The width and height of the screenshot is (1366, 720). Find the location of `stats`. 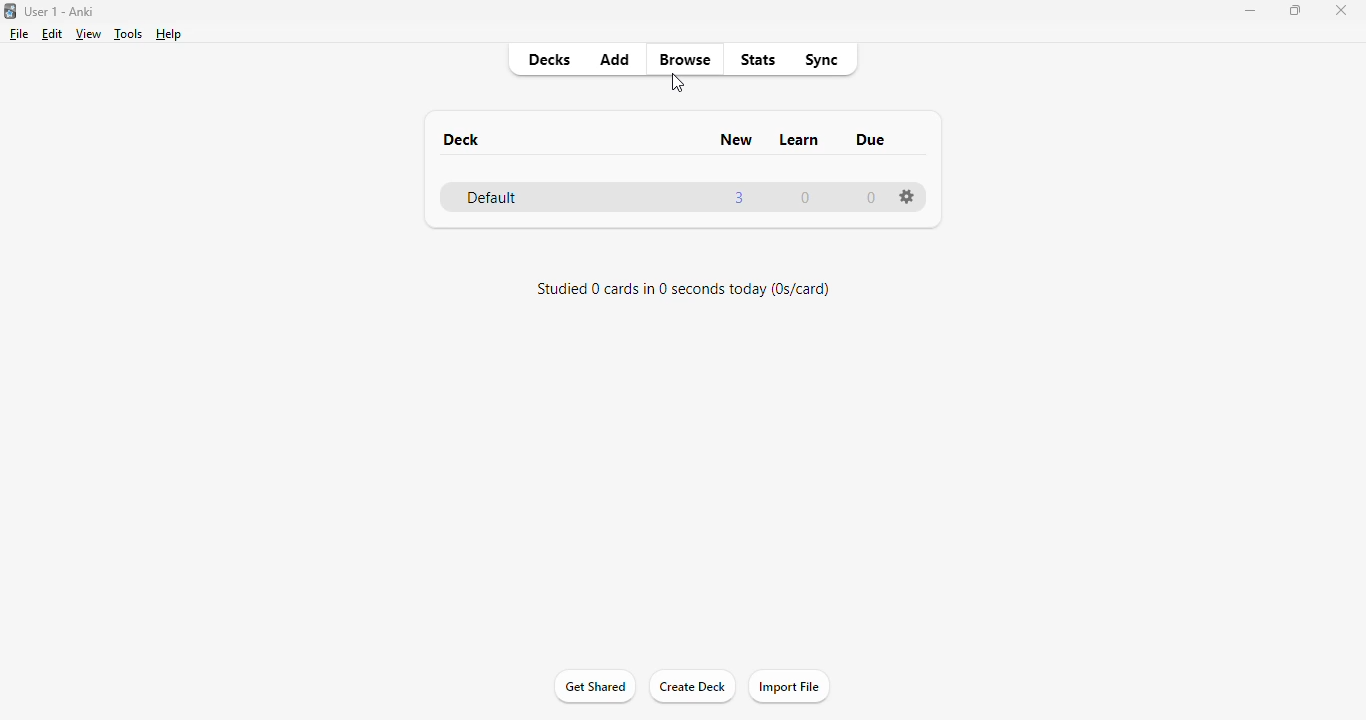

stats is located at coordinates (758, 60).